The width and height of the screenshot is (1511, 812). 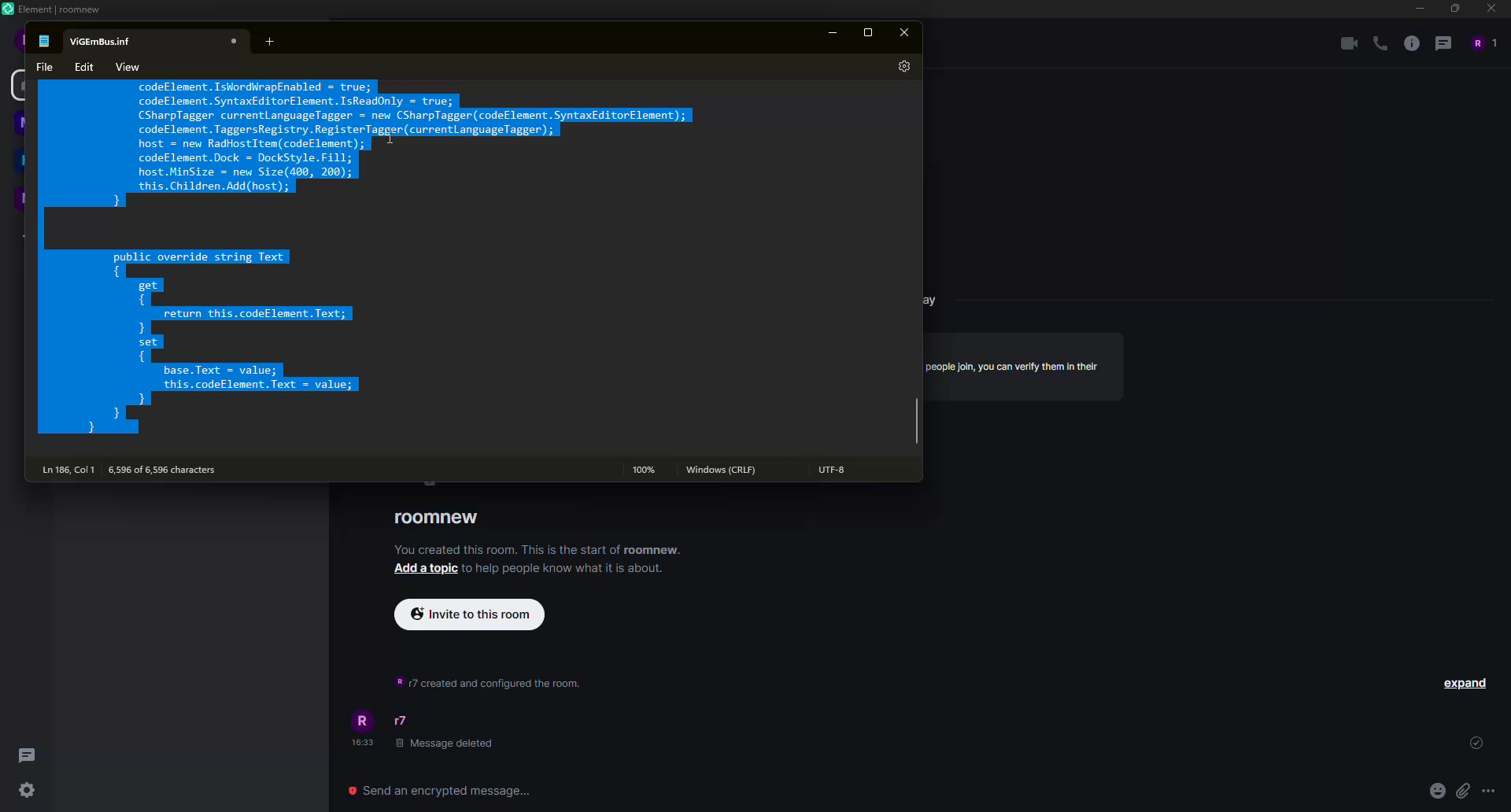 I want to click on notepad, so click(x=46, y=39).